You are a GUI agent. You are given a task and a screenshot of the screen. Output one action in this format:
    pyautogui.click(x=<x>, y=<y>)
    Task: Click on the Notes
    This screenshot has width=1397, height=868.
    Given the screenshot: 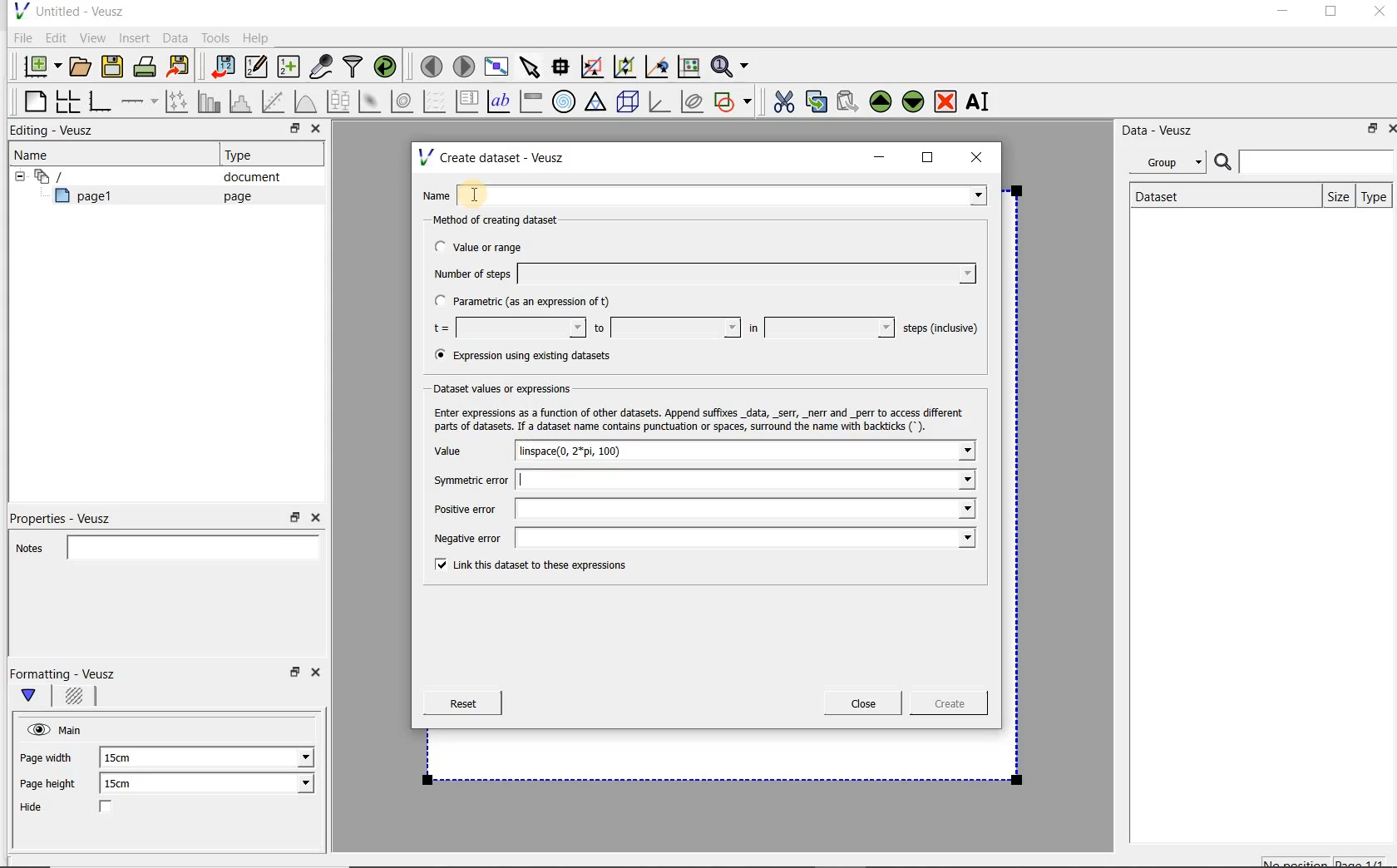 What is the action you would take?
    pyautogui.click(x=162, y=545)
    